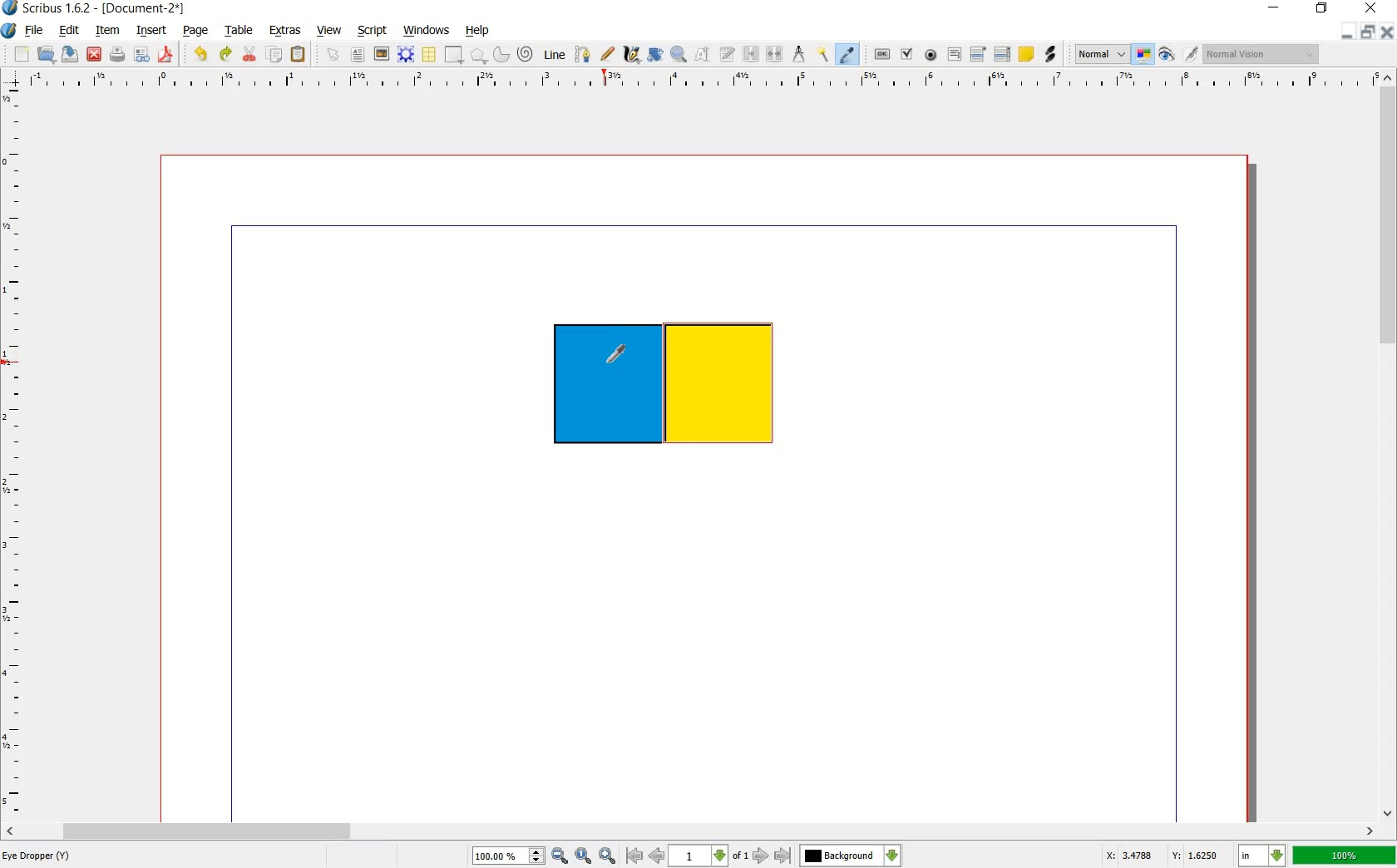 The height and width of the screenshot is (868, 1397). What do you see at coordinates (1261, 55) in the screenshot?
I see `normal vision` at bounding box center [1261, 55].